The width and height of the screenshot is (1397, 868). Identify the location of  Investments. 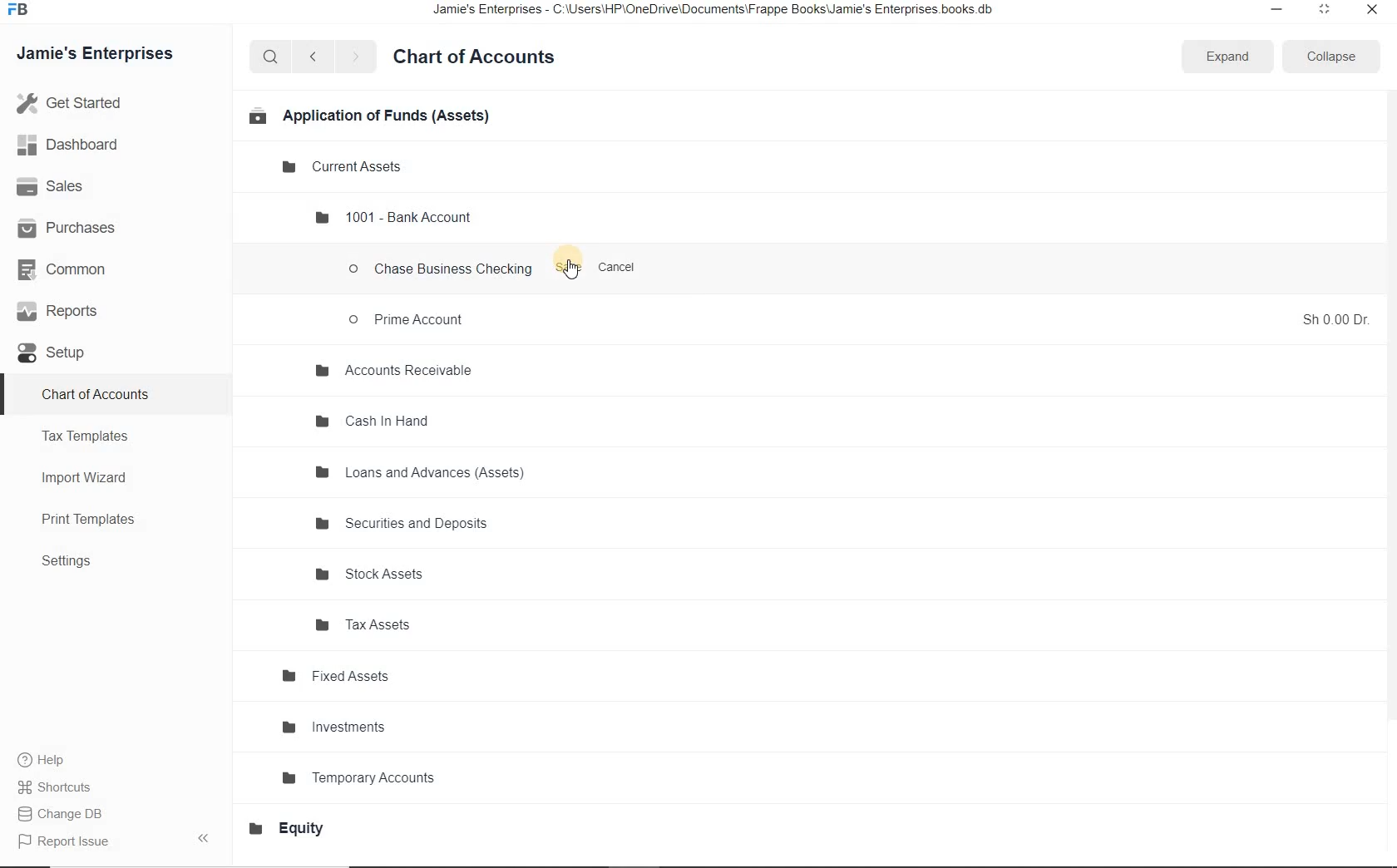
(338, 727).